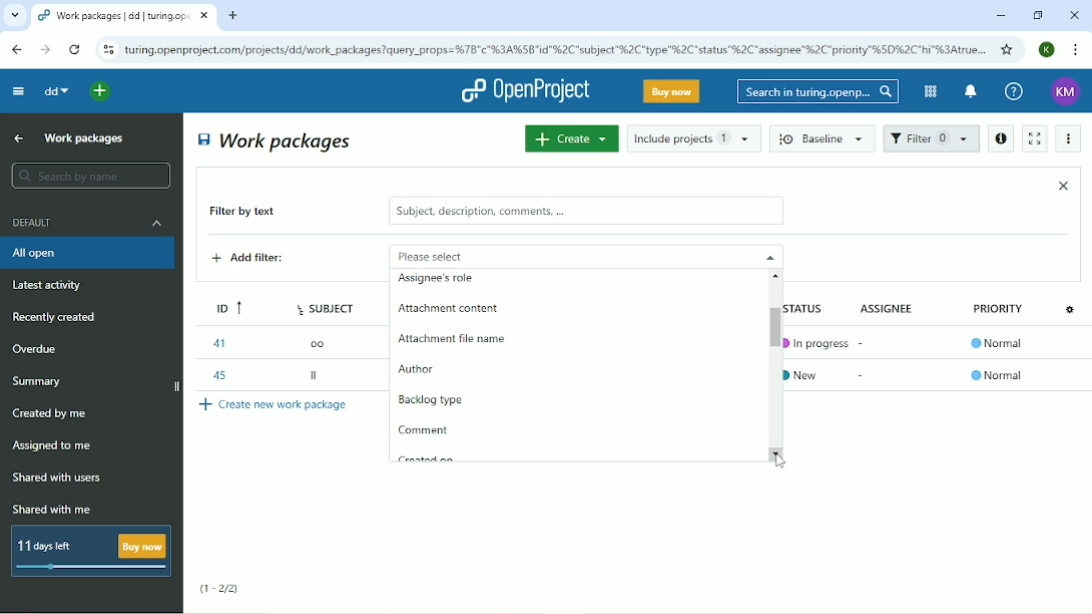 The image size is (1092, 614). I want to click on Vertical scrollbar, so click(768, 324).